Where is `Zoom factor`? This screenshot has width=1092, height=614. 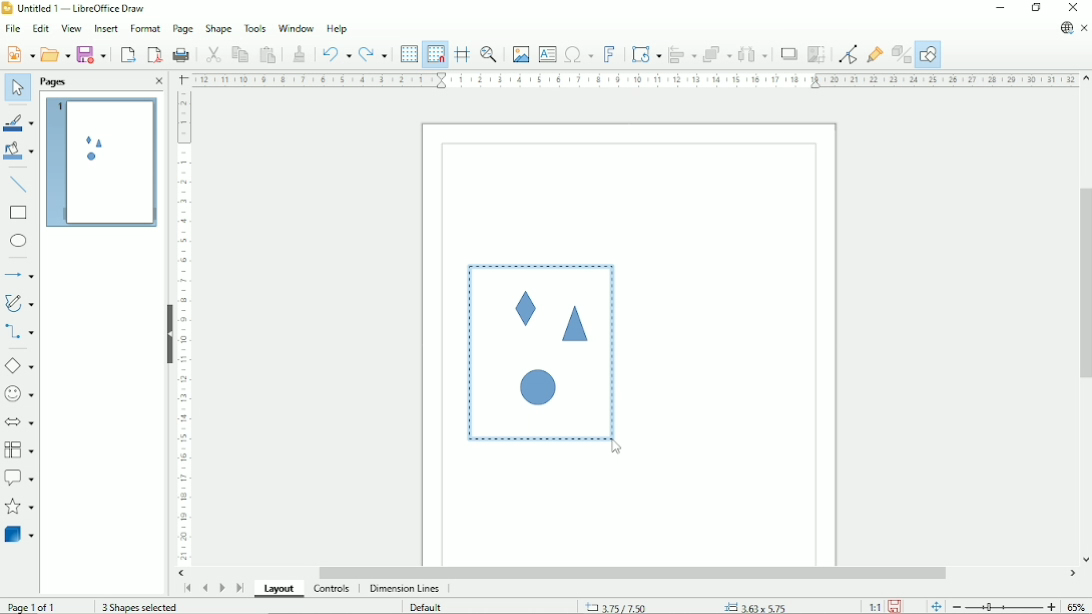 Zoom factor is located at coordinates (1077, 605).